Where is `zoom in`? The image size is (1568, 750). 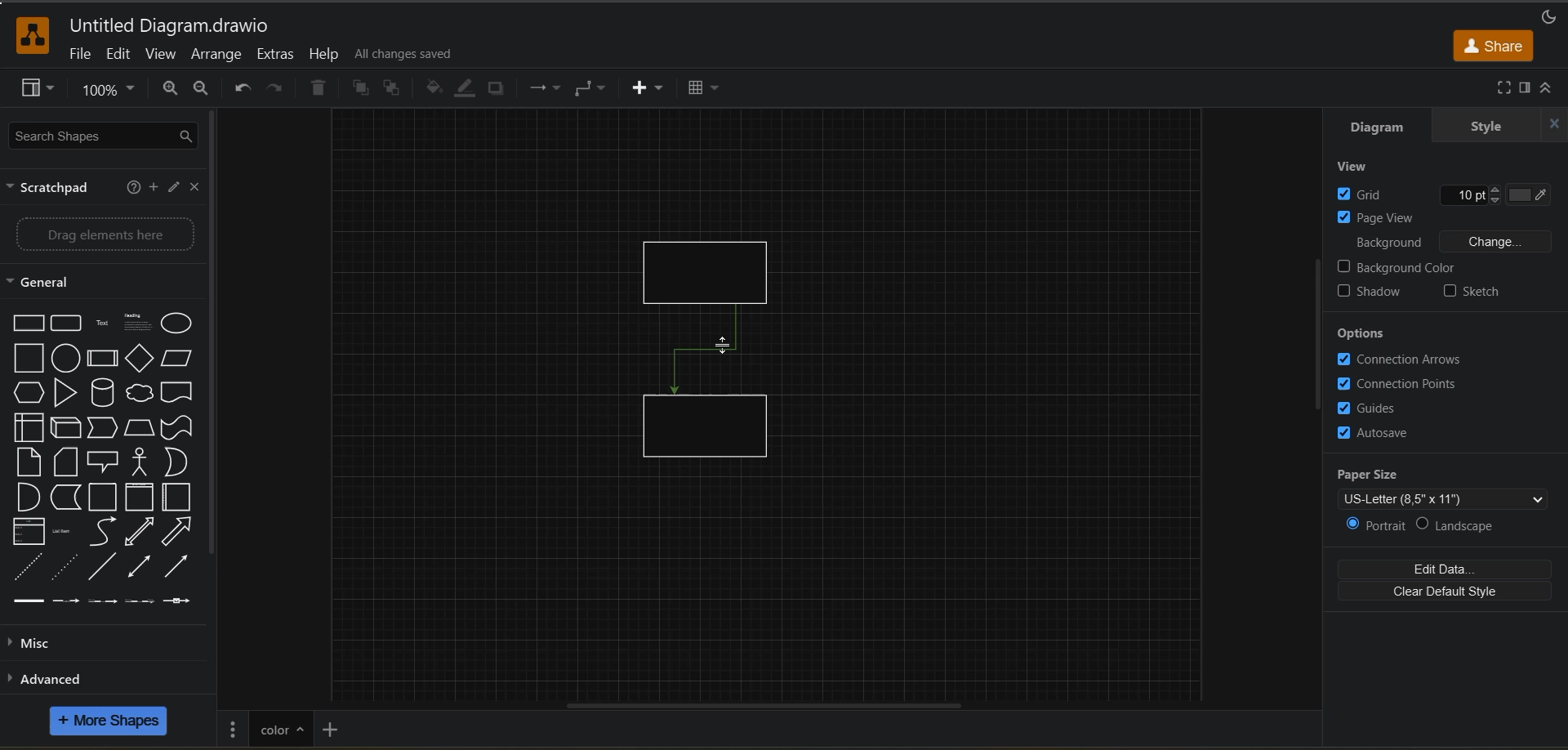 zoom in is located at coordinates (171, 90).